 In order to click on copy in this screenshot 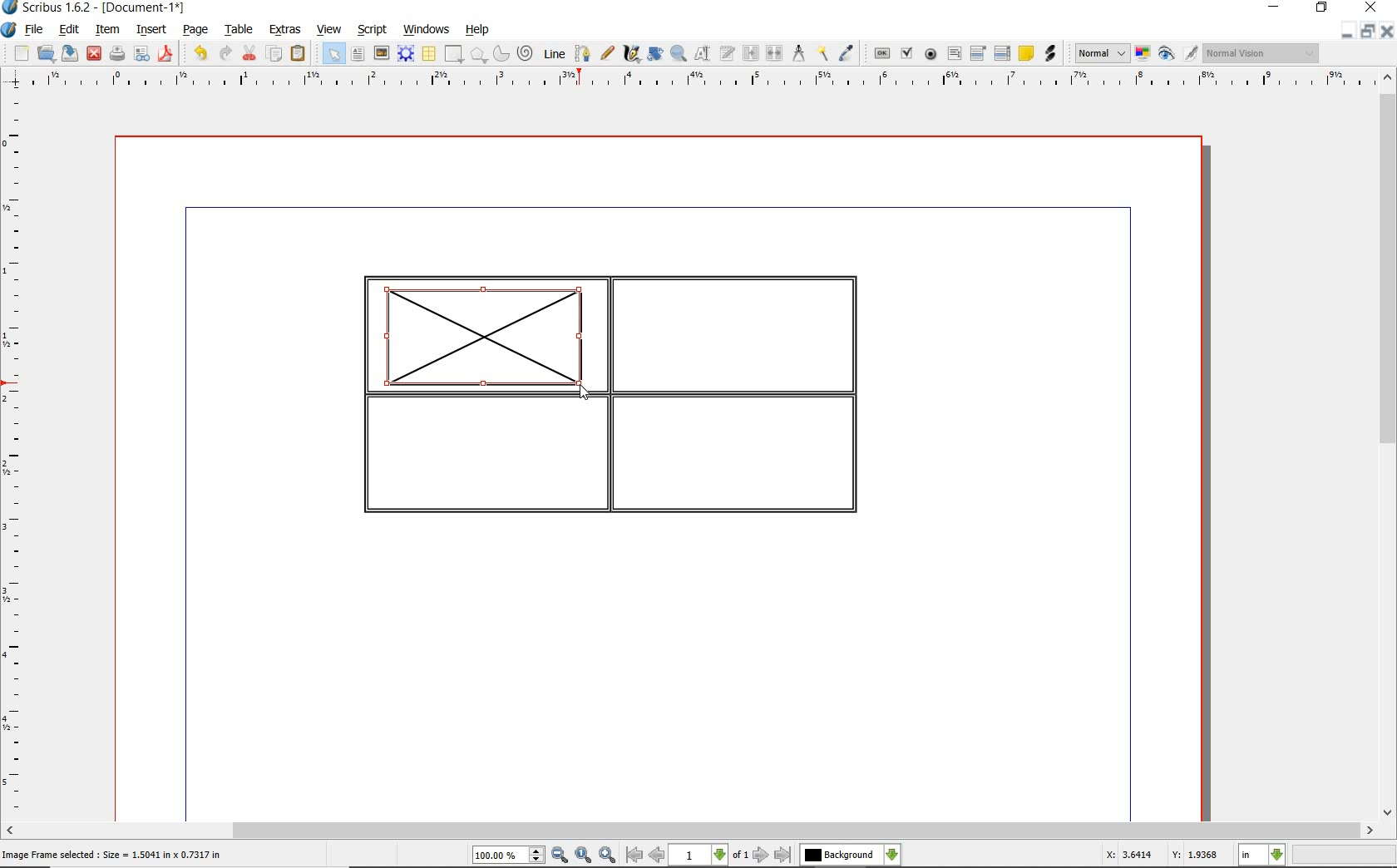, I will do `click(275, 55)`.